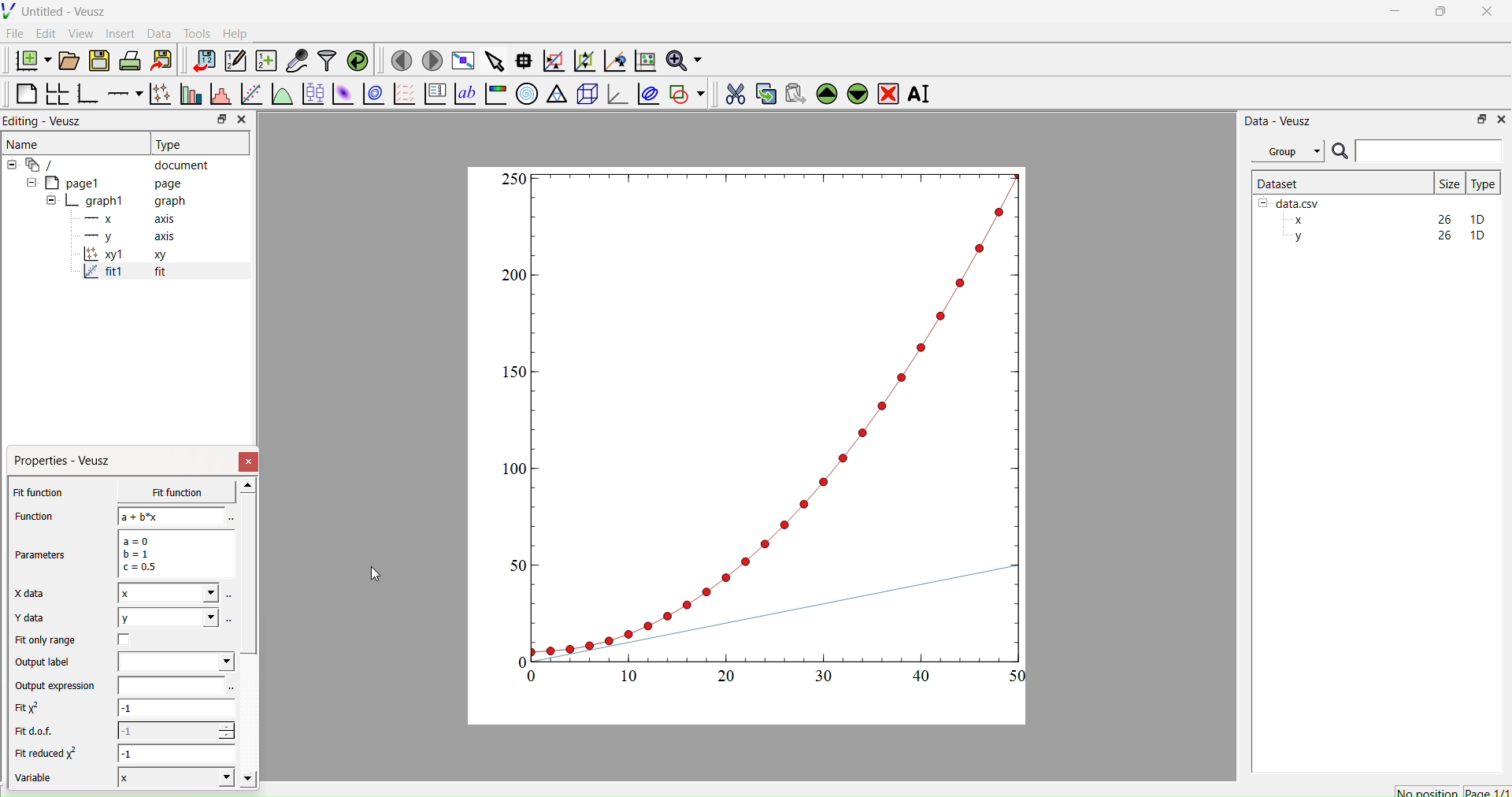 This screenshot has height=797, width=1512. What do you see at coordinates (173, 777) in the screenshot?
I see `X ` at bounding box center [173, 777].